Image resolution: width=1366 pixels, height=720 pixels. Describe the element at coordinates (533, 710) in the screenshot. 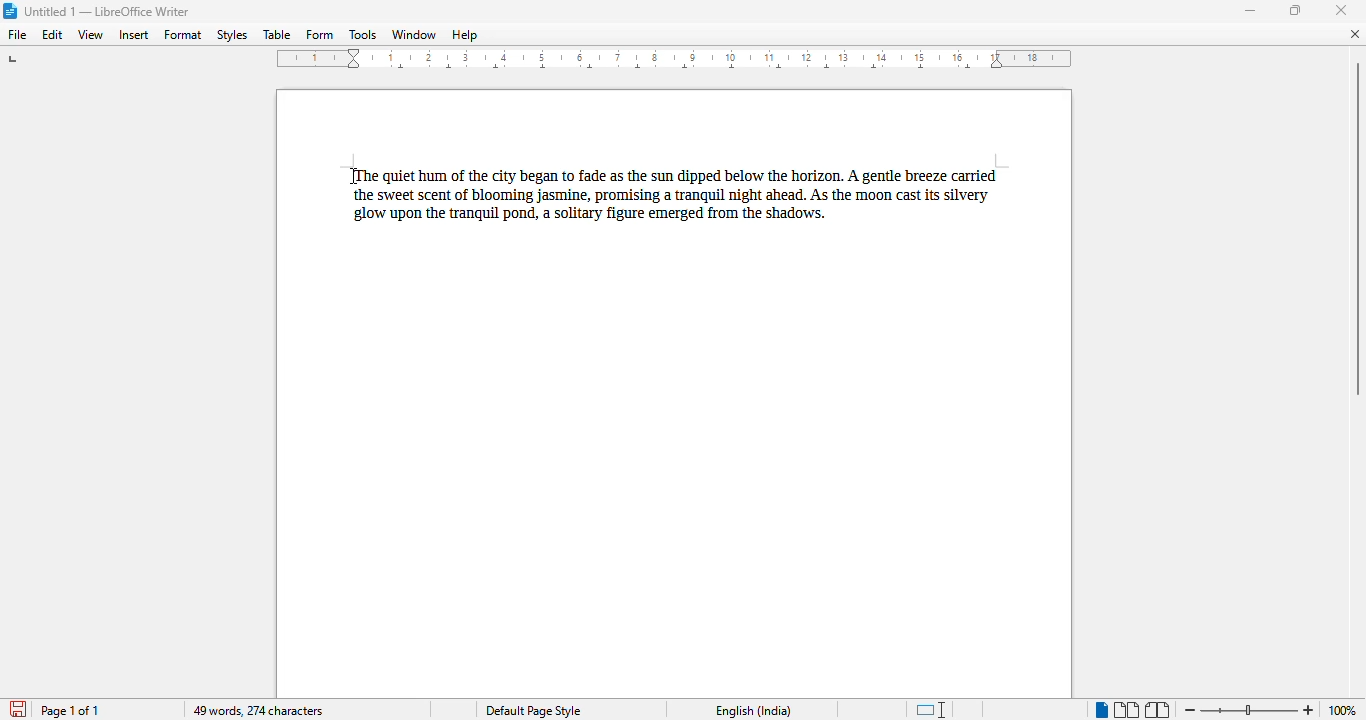

I see `page style` at that location.